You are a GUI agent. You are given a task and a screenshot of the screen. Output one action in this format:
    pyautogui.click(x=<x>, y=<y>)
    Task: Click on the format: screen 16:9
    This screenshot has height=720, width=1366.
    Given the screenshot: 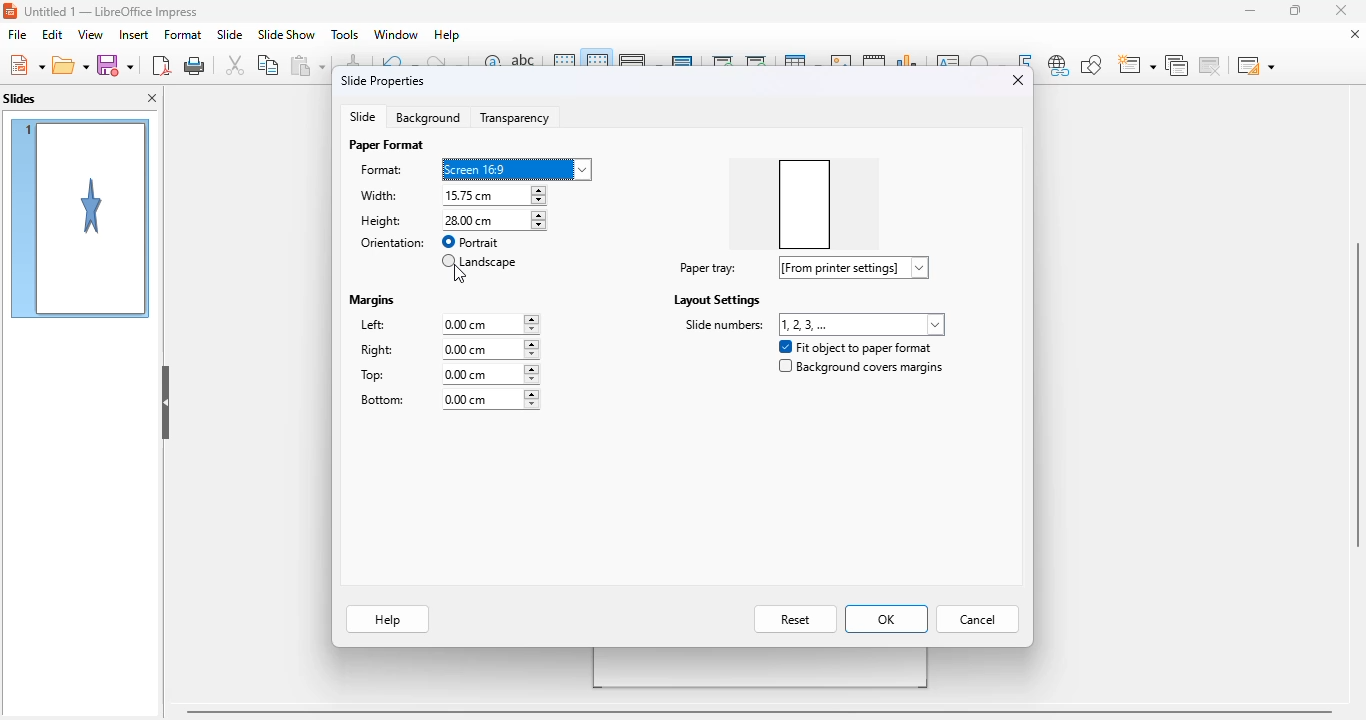 What is the action you would take?
    pyautogui.click(x=518, y=170)
    